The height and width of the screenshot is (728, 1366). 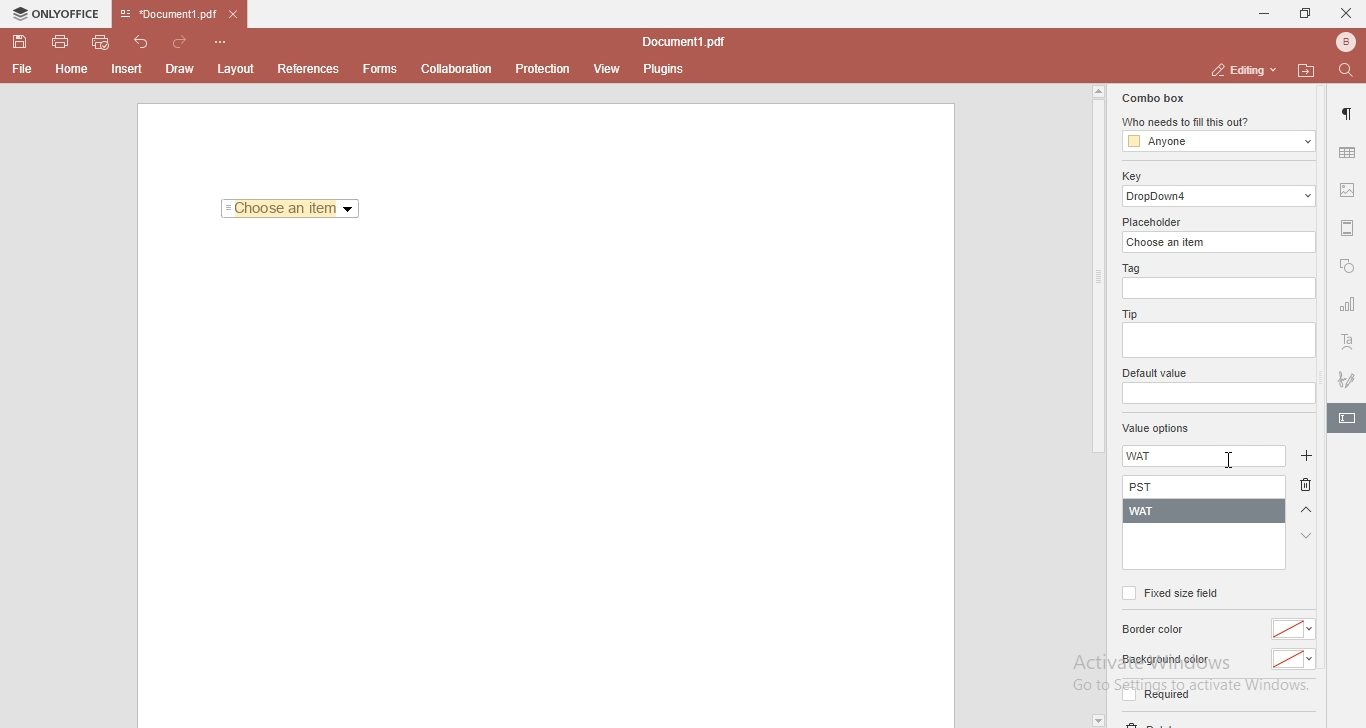 What do you see at coordinates (144, 40) in the screenshot?
I see `undo` at bounding box center [144, 40].